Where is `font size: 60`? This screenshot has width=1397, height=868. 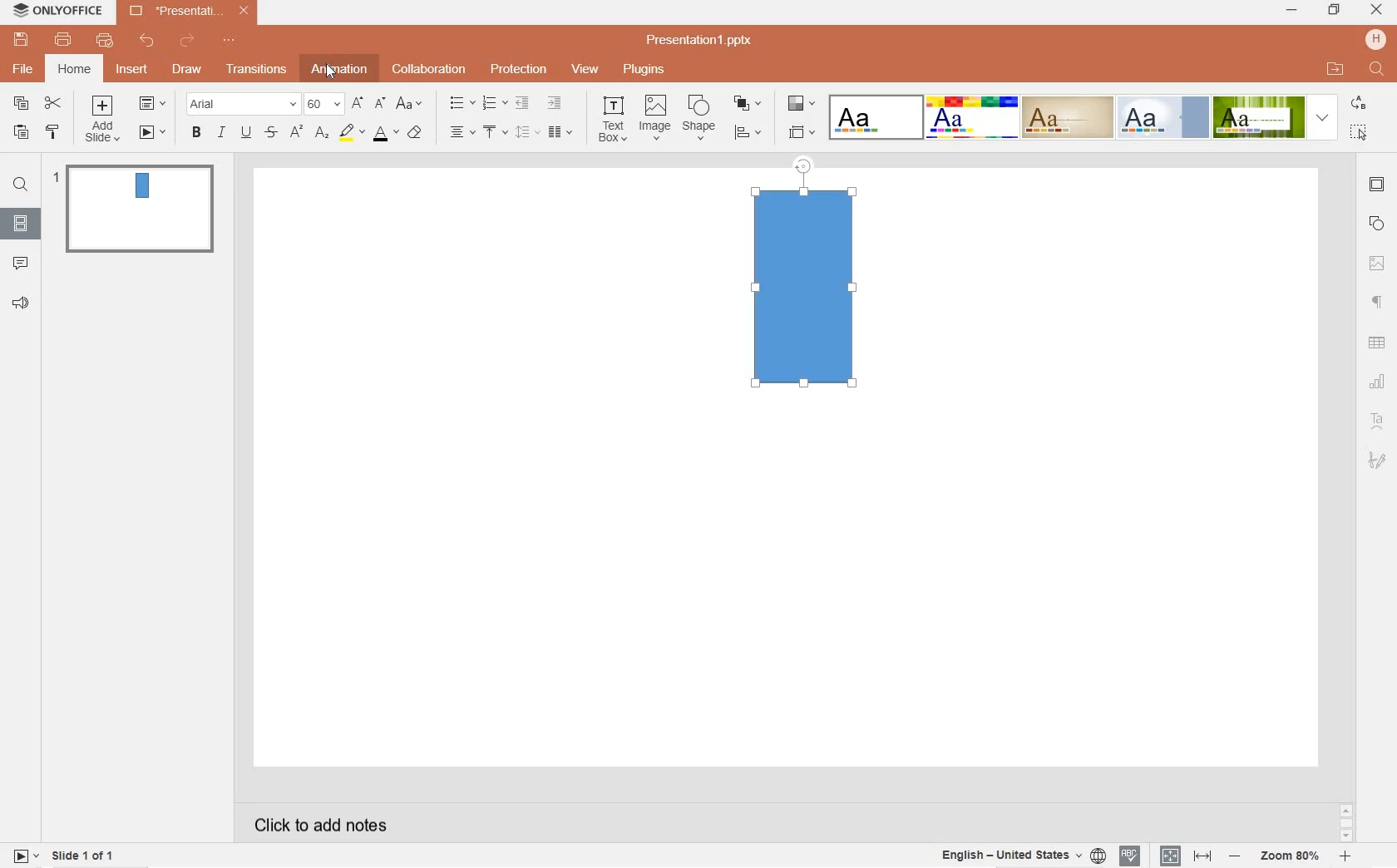 font size: 60 is located at coordinates (322, 106).